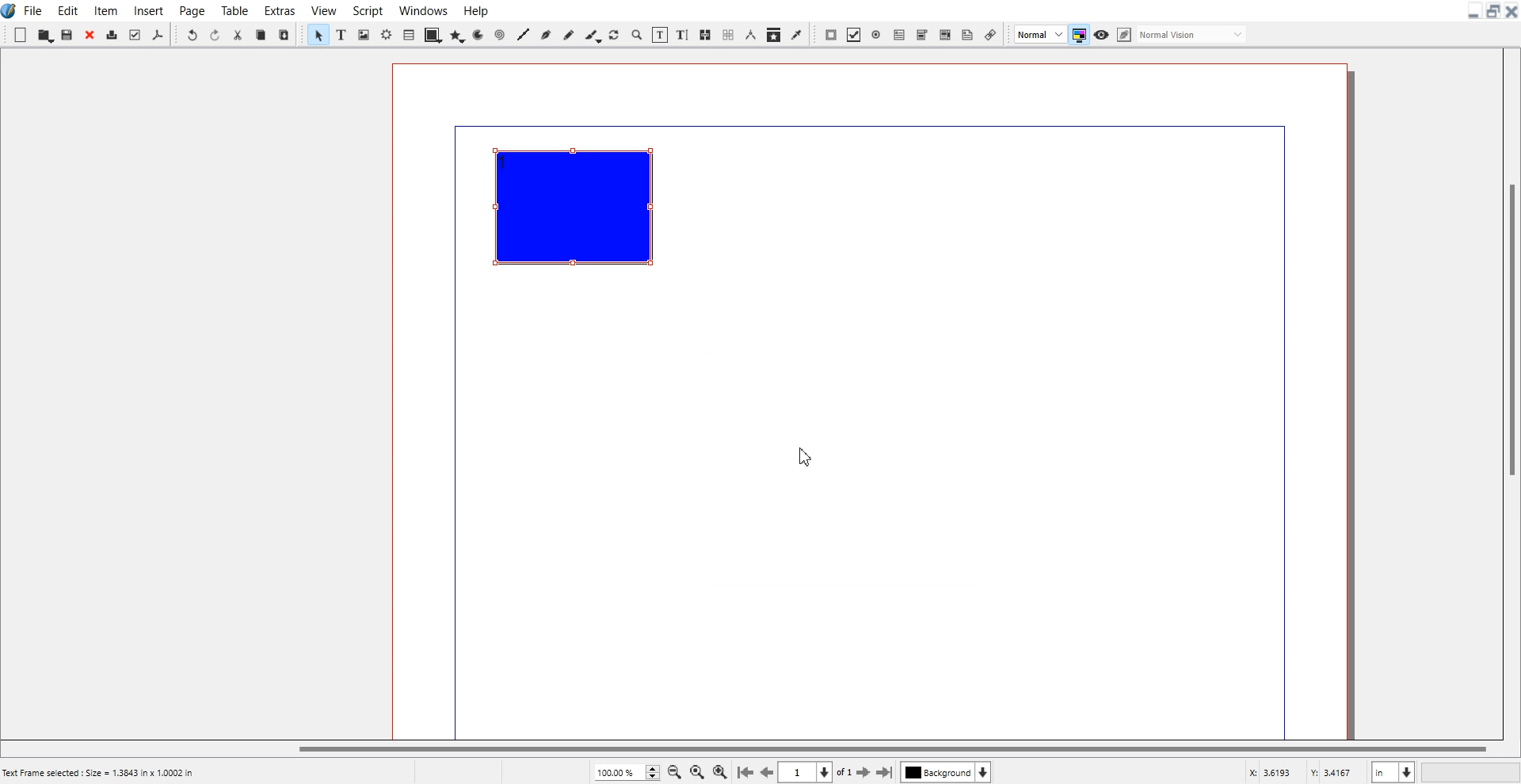 The width and height of the screenshot is (1521, 784). What do you see at coordinates (341, 35) in the screenshot?
I see `Text Frame` at bounding box center [341, 35].